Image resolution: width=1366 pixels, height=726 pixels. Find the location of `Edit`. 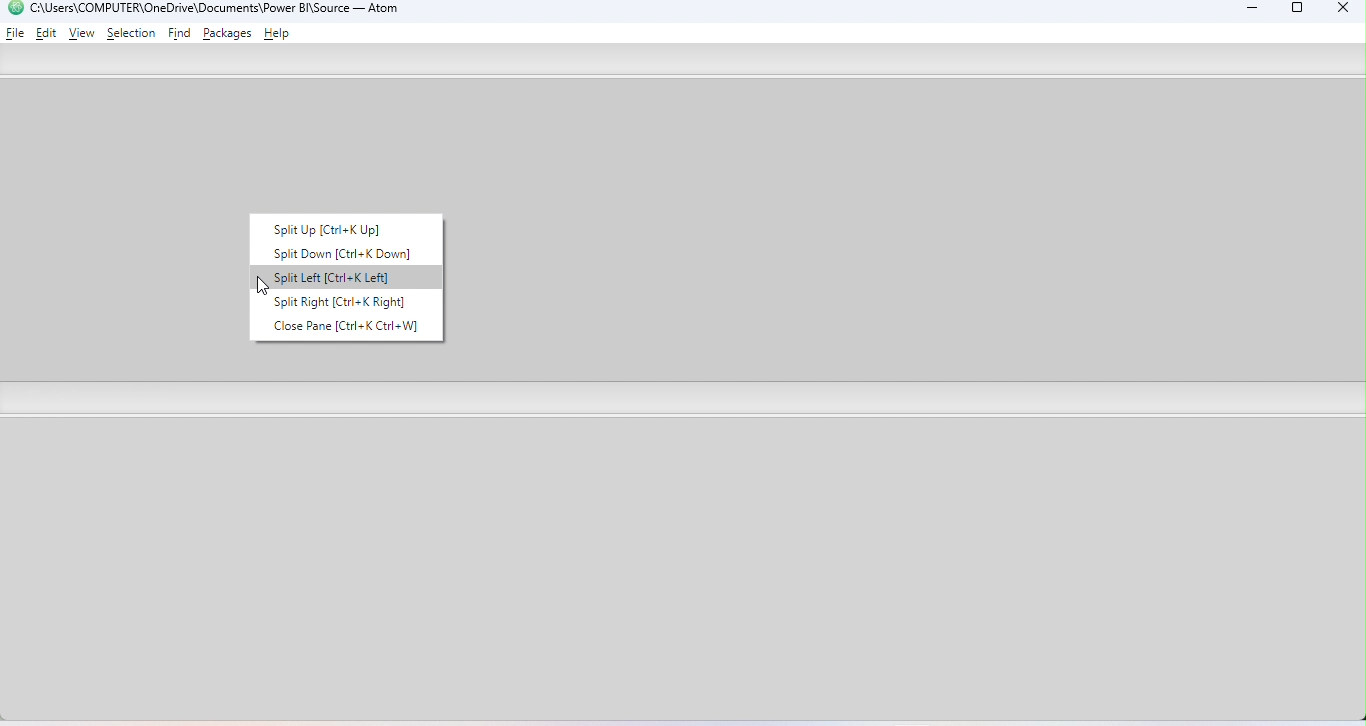

Edit is located at coordinates (48, 32).